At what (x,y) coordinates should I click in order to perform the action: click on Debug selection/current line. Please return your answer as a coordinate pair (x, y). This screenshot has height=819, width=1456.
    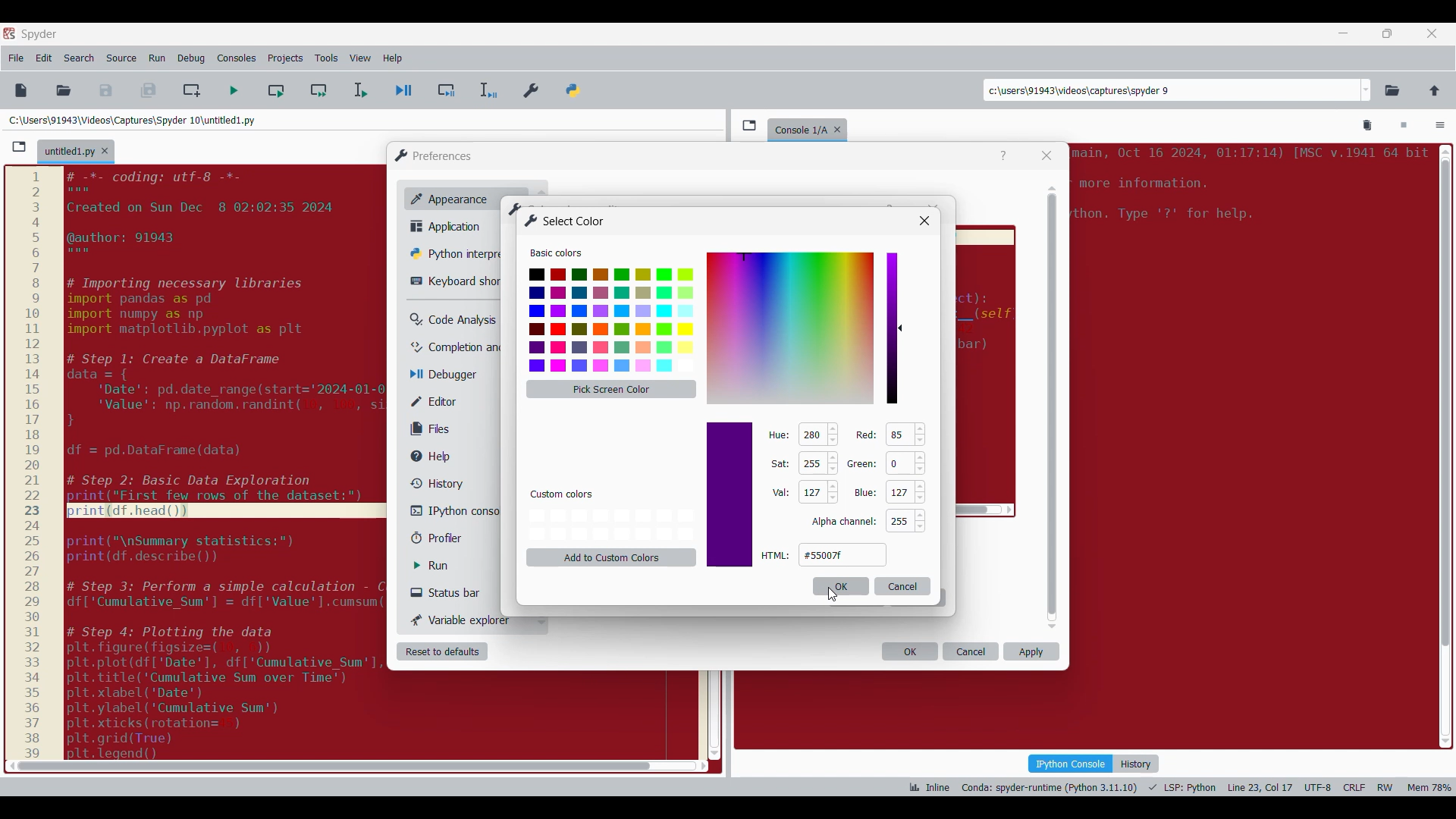
    Looking at the image, I should click on (487, 90).